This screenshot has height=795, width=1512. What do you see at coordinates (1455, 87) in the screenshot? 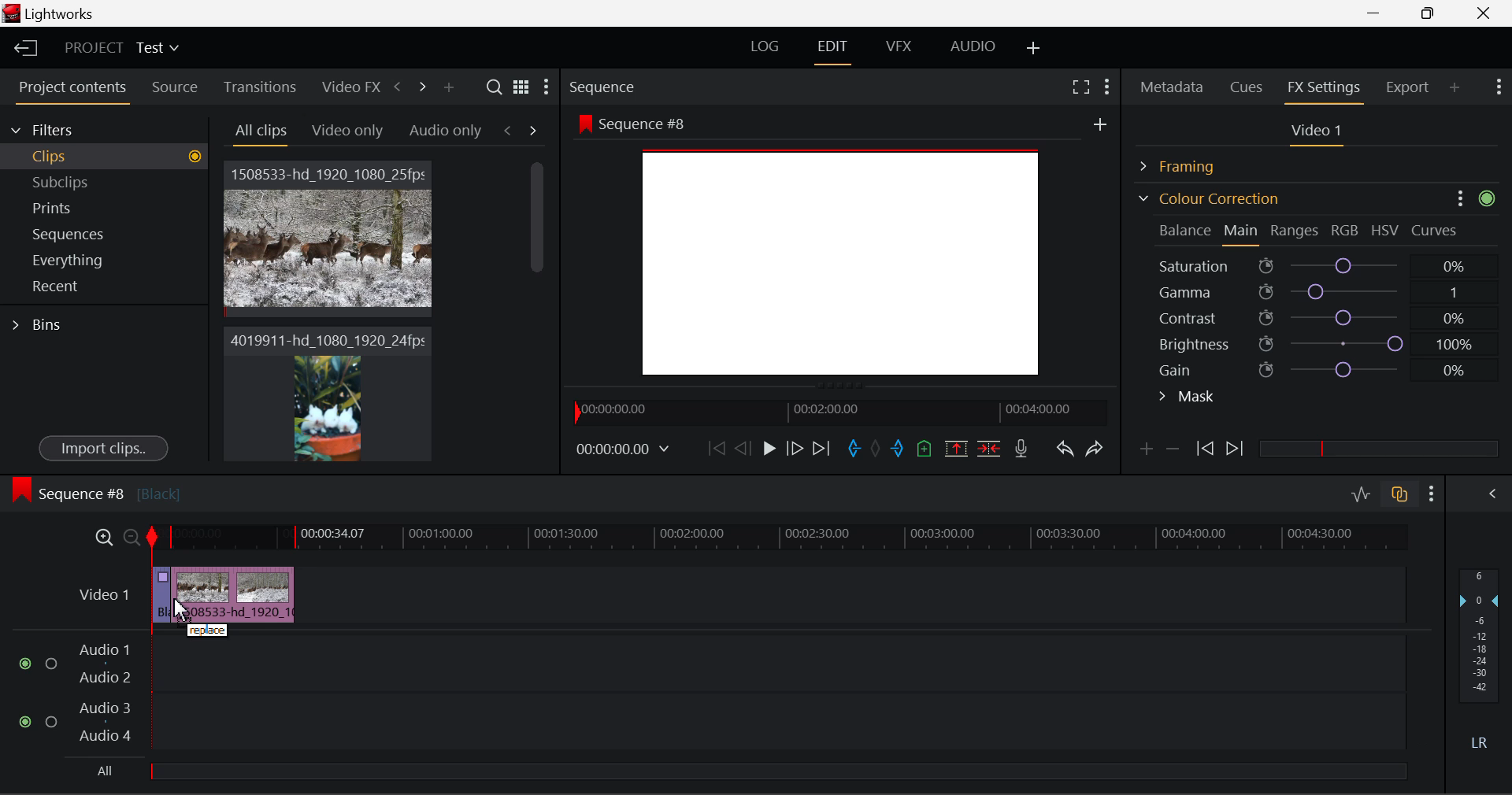
I see `Add Panel` at bounding box center [1455, 87].